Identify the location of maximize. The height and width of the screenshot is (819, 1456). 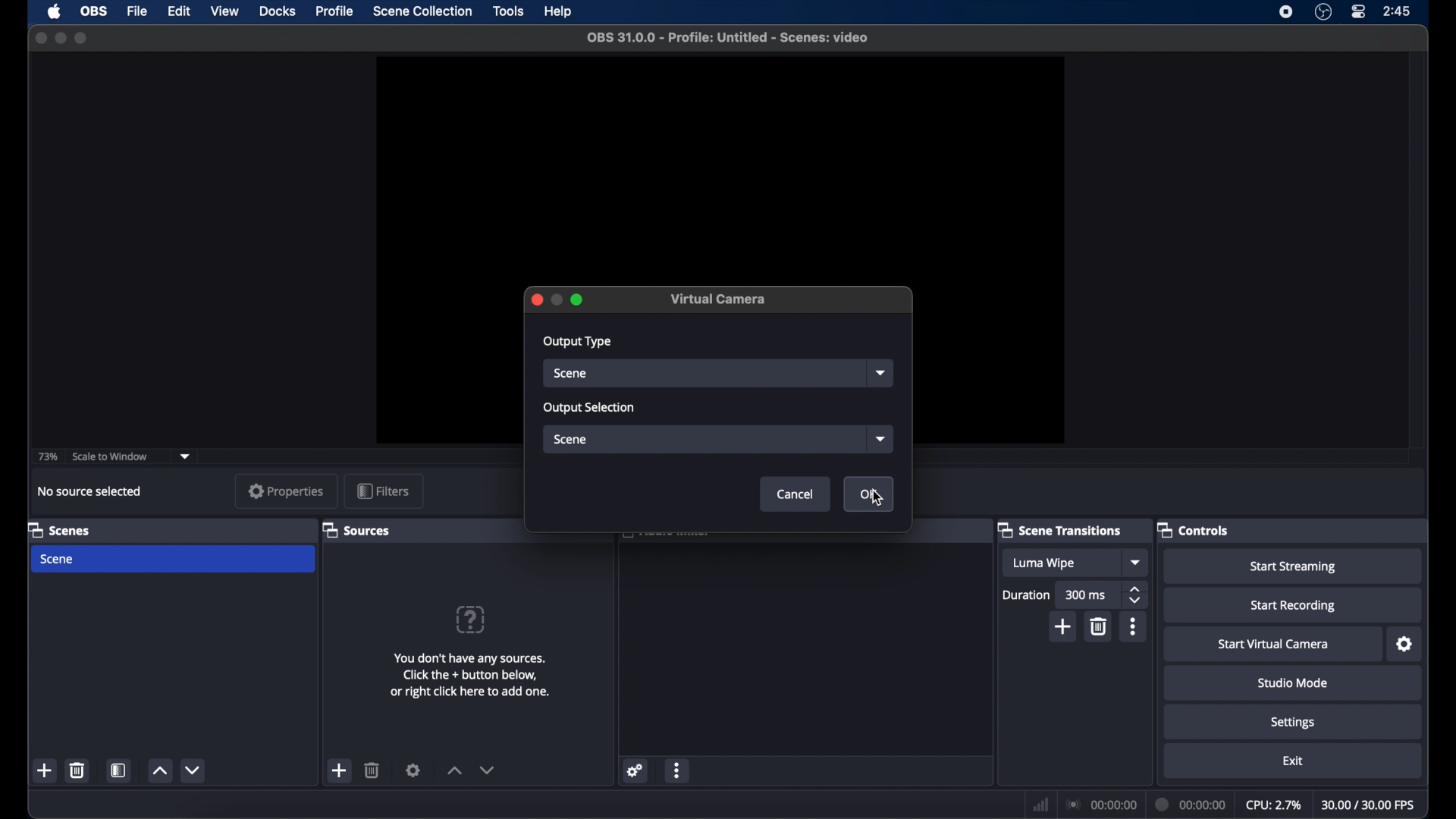
(579, 300).